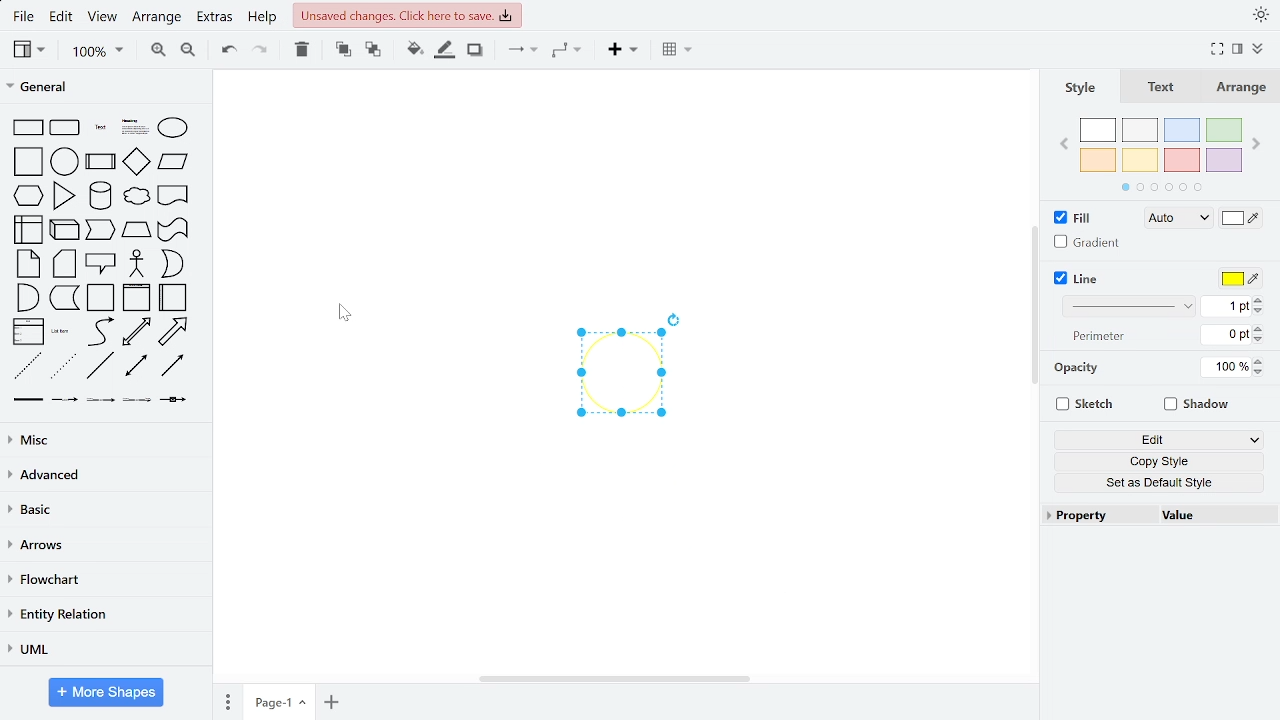 This screenshot has width=1280, height=720. What do you see at coordinates (332, 700) in the screenshot?
I see `insert page` at bounding box center [332, 700].